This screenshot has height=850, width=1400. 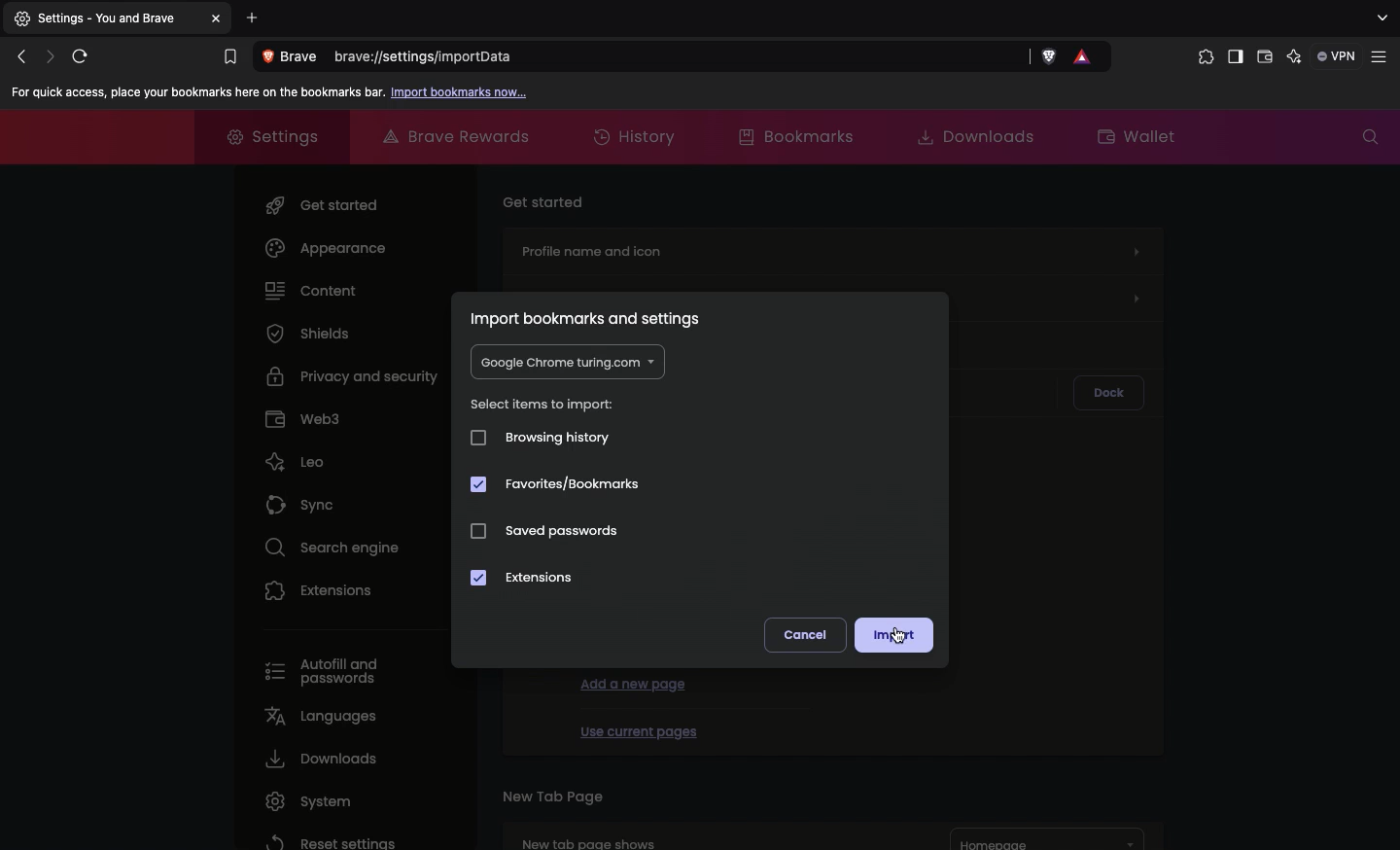 What do you see at coordinates (1048, 839) in the screenshot?
I see `Homepage` at bounding box center [1048, 839].